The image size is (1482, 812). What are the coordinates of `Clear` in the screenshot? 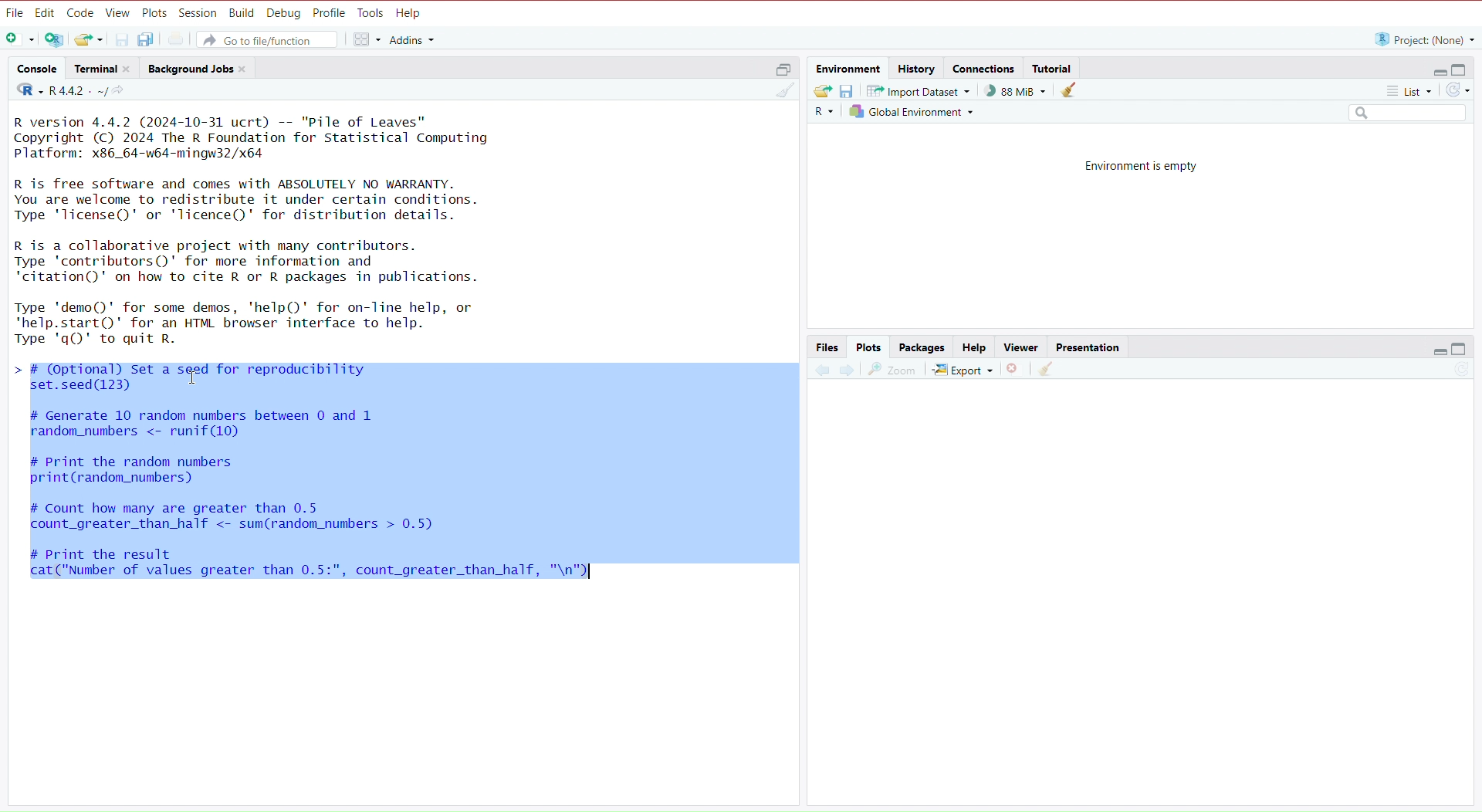 It's located at (1046, 369).